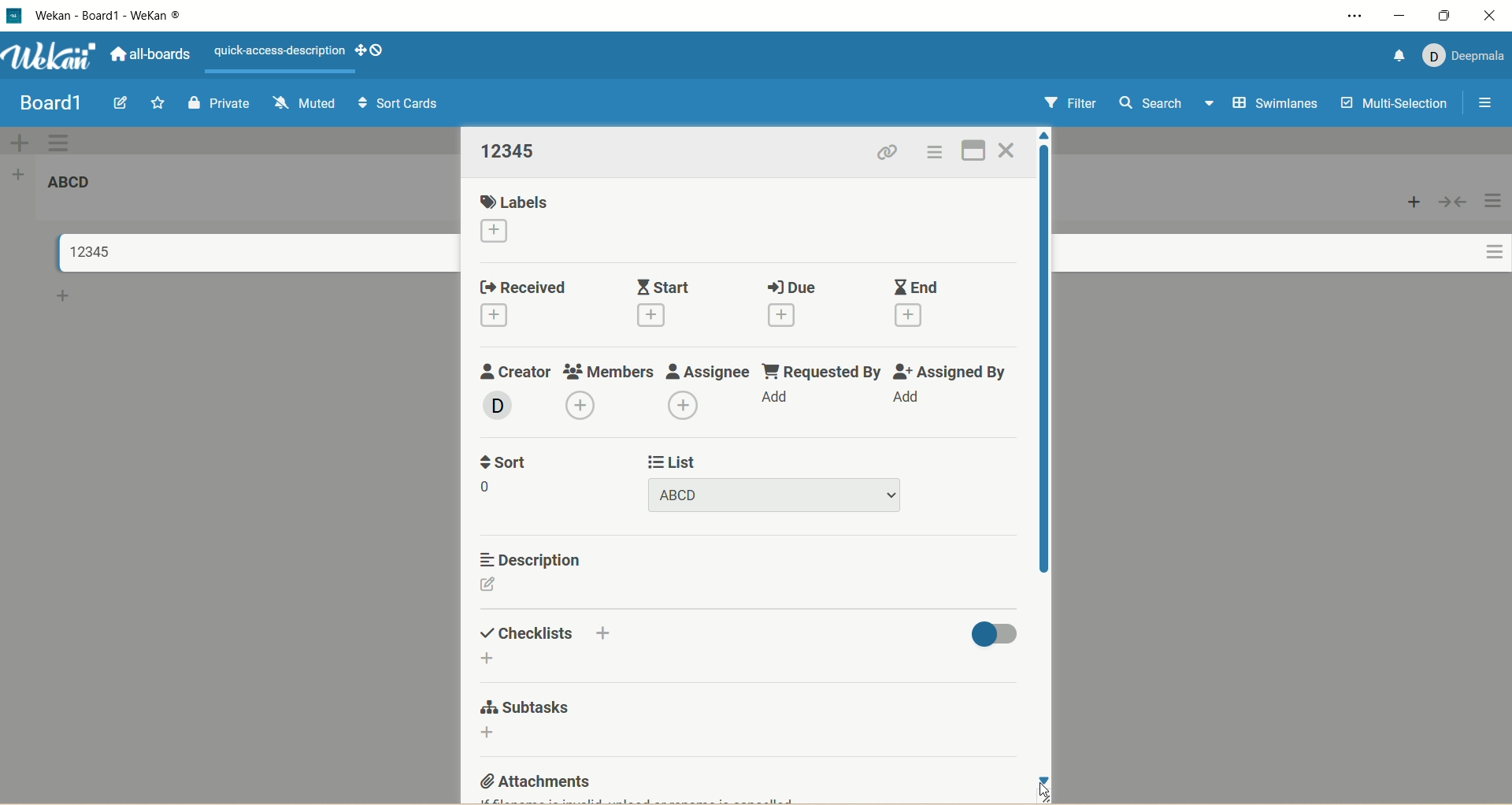  Describe the element at coordinates (1067, 105) in the screenshot. I see `filter` at that location.